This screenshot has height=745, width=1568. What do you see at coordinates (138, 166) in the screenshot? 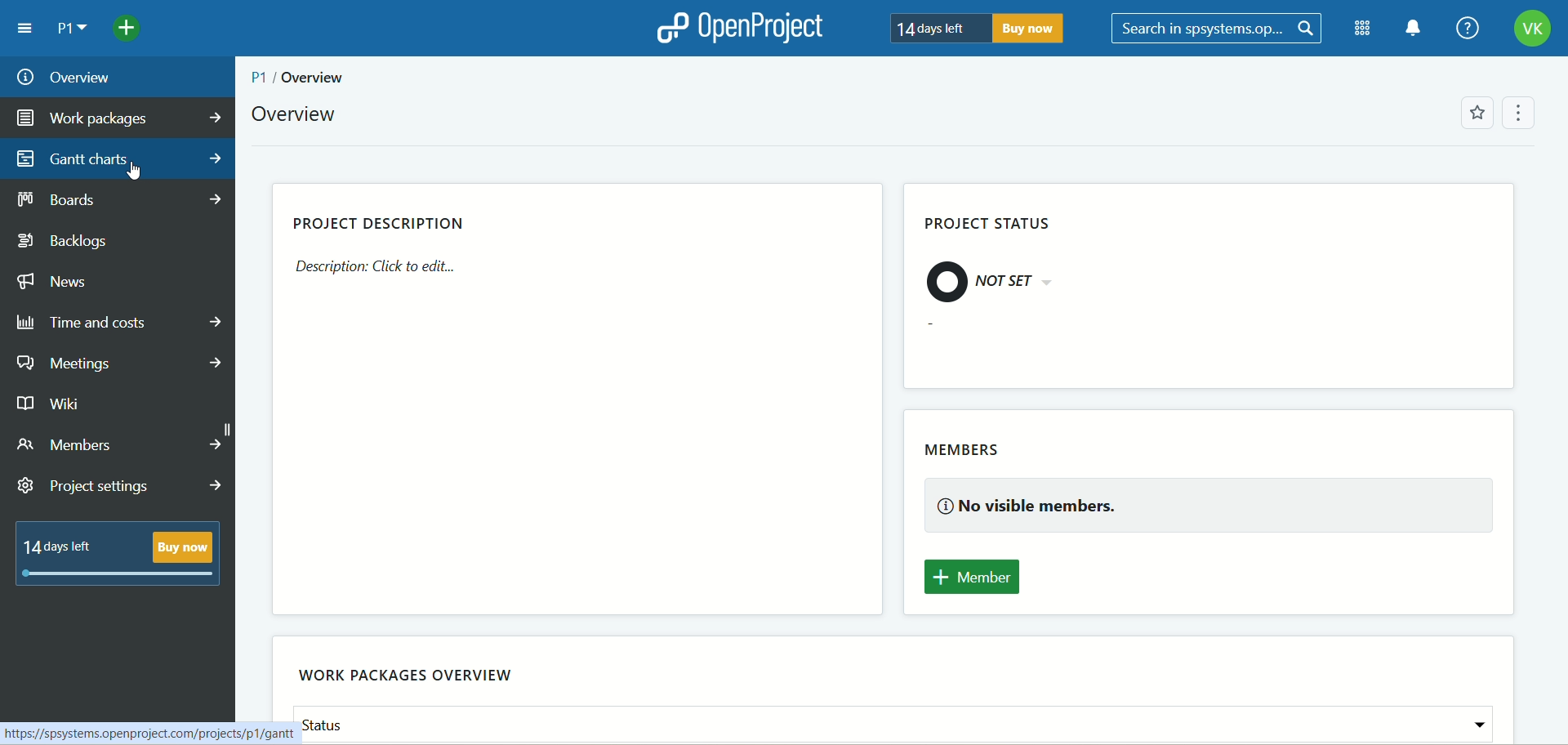
I see `cursor` at bounding box center [138, 166].